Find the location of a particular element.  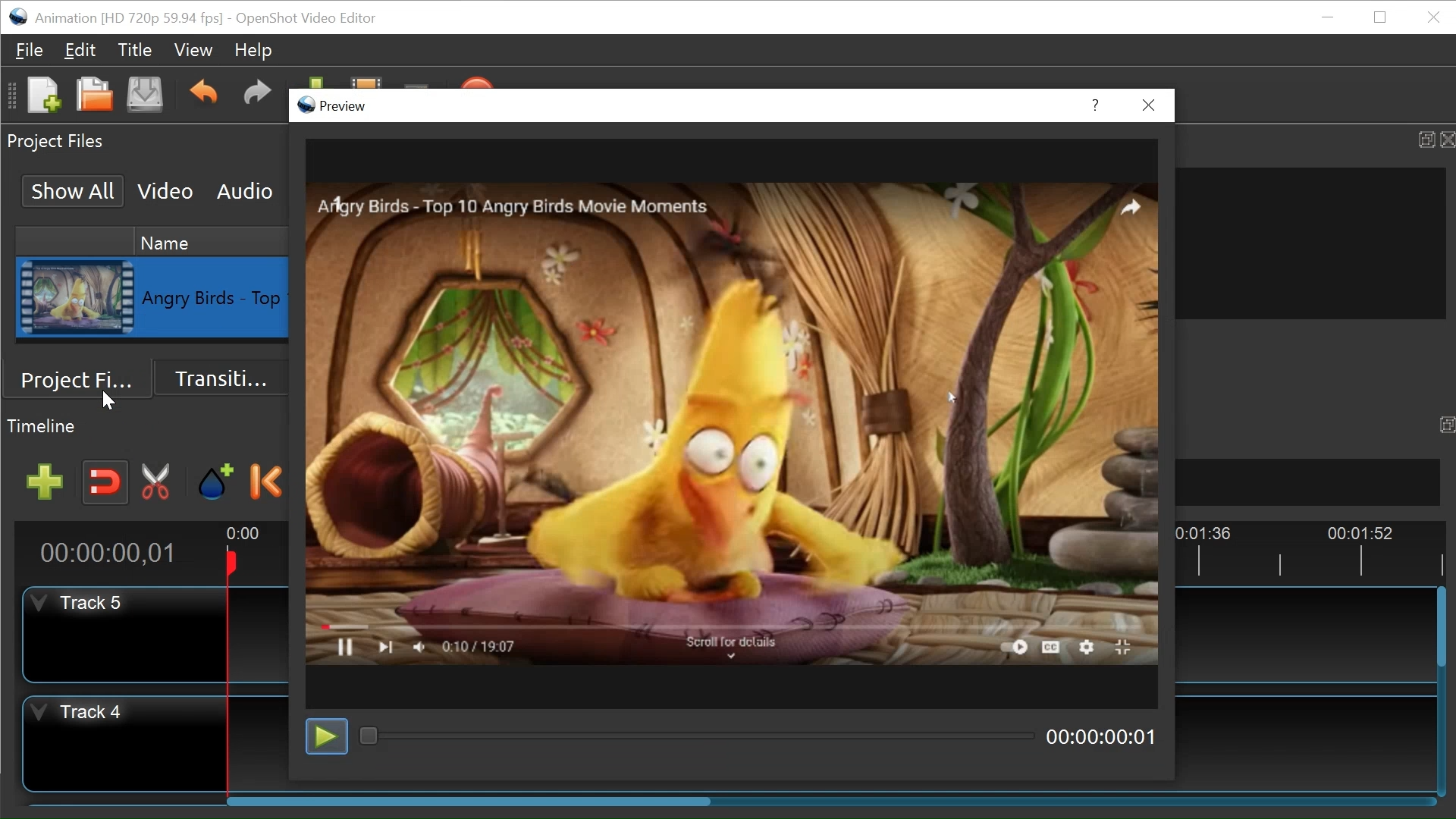

Project Files Panel is located at coordinates (141, 142).